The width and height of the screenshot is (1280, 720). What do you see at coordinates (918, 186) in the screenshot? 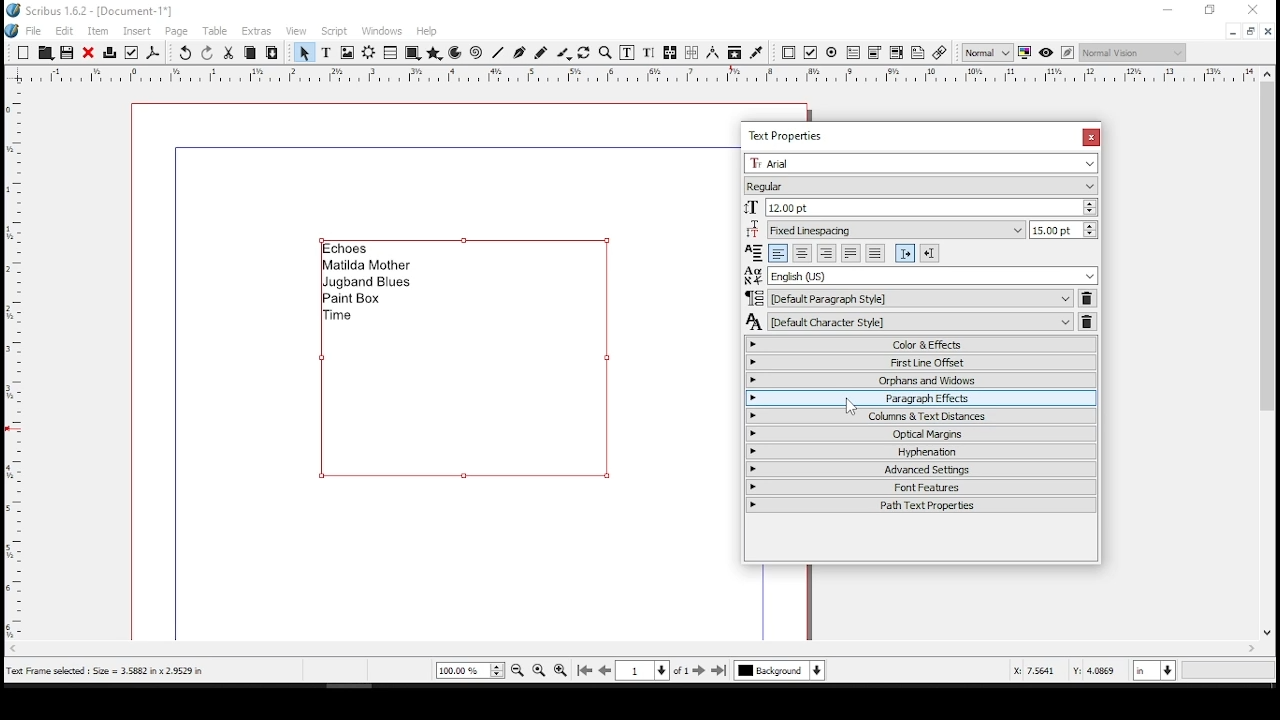
I see `font type` at bounding box center [918, 186].